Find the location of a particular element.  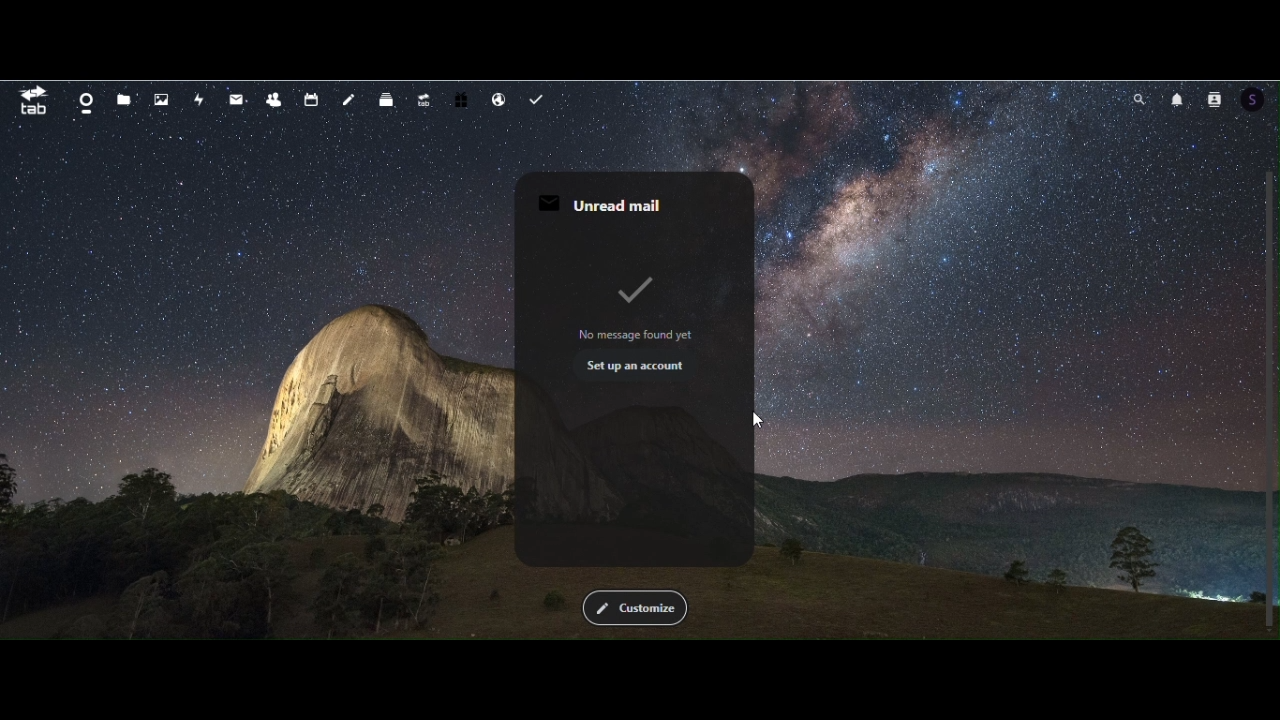

deck is located at coordinates (387, 97).